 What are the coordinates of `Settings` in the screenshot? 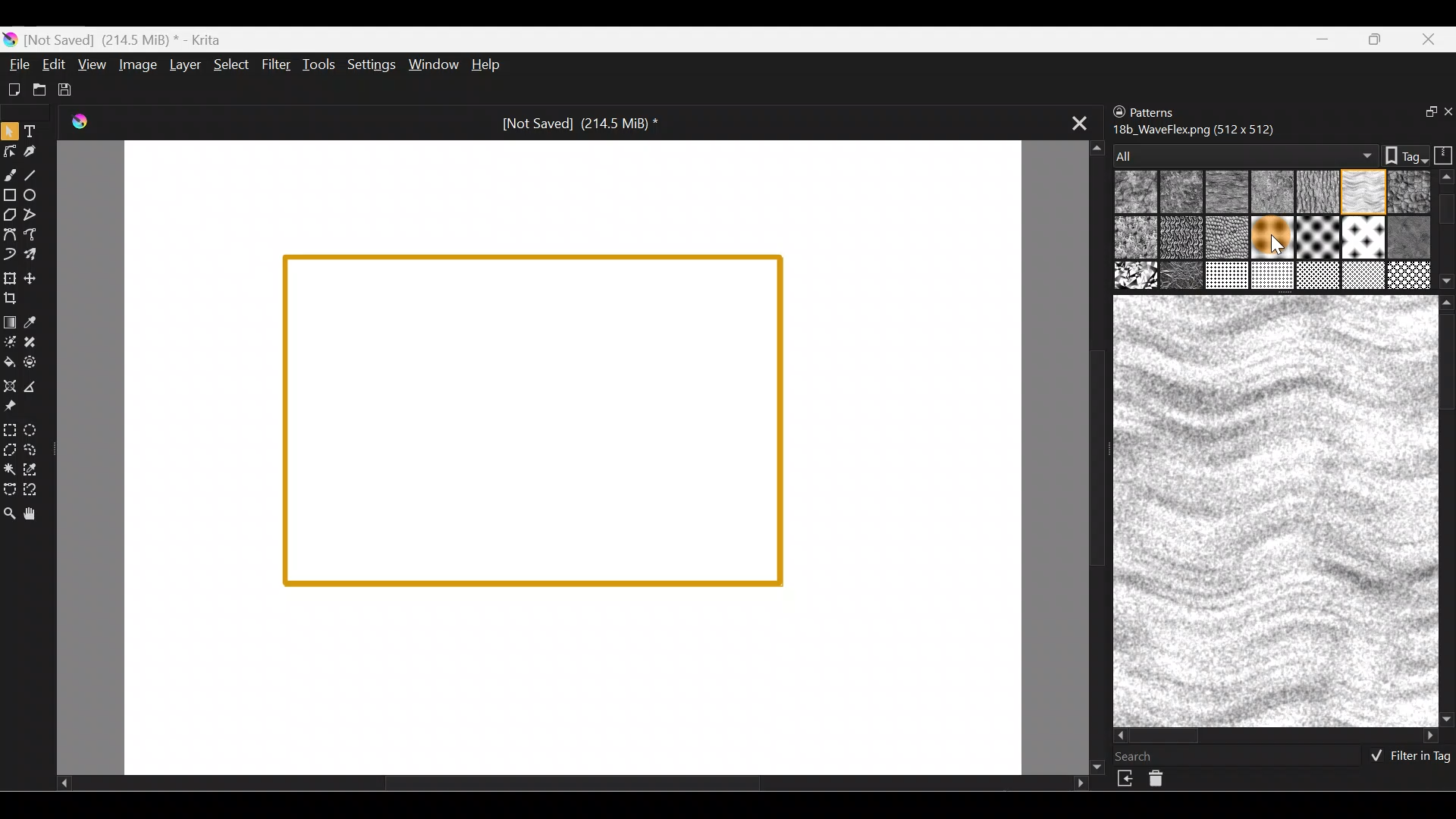 It's located at (369, 65).